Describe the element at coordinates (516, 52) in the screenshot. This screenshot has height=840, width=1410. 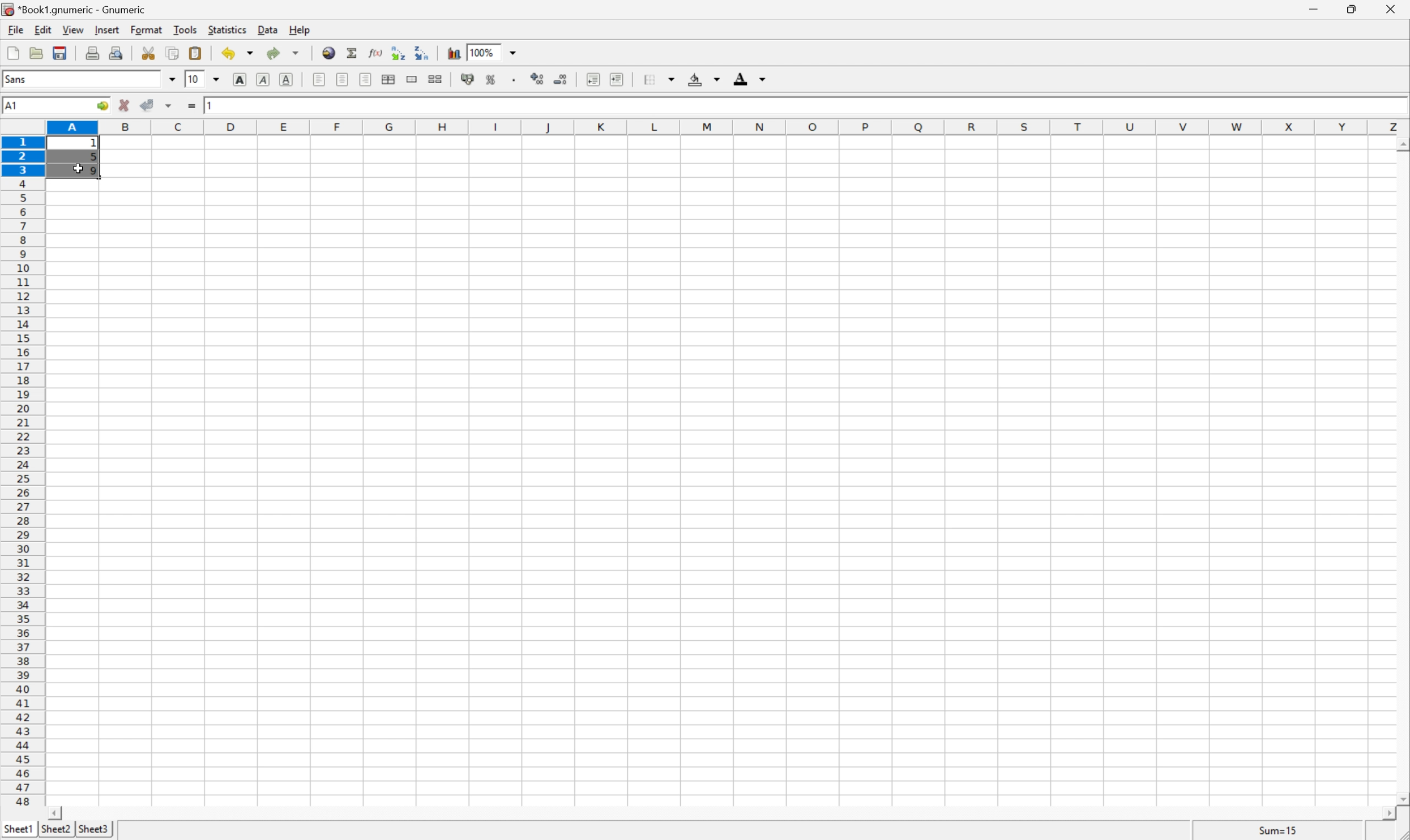
I see `drop down` at that location.